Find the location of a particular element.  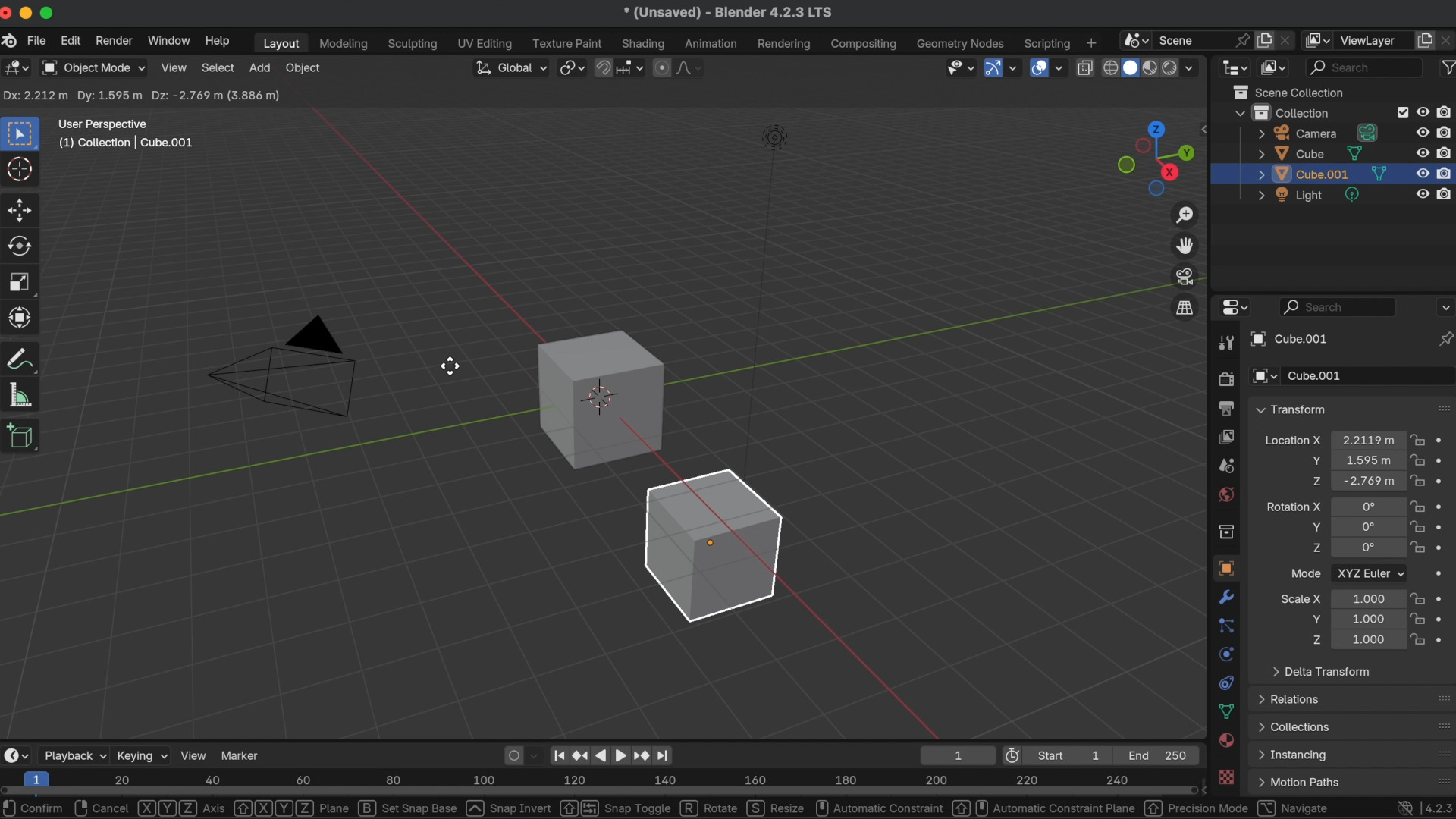

options is located at coordinates (1444, 306).